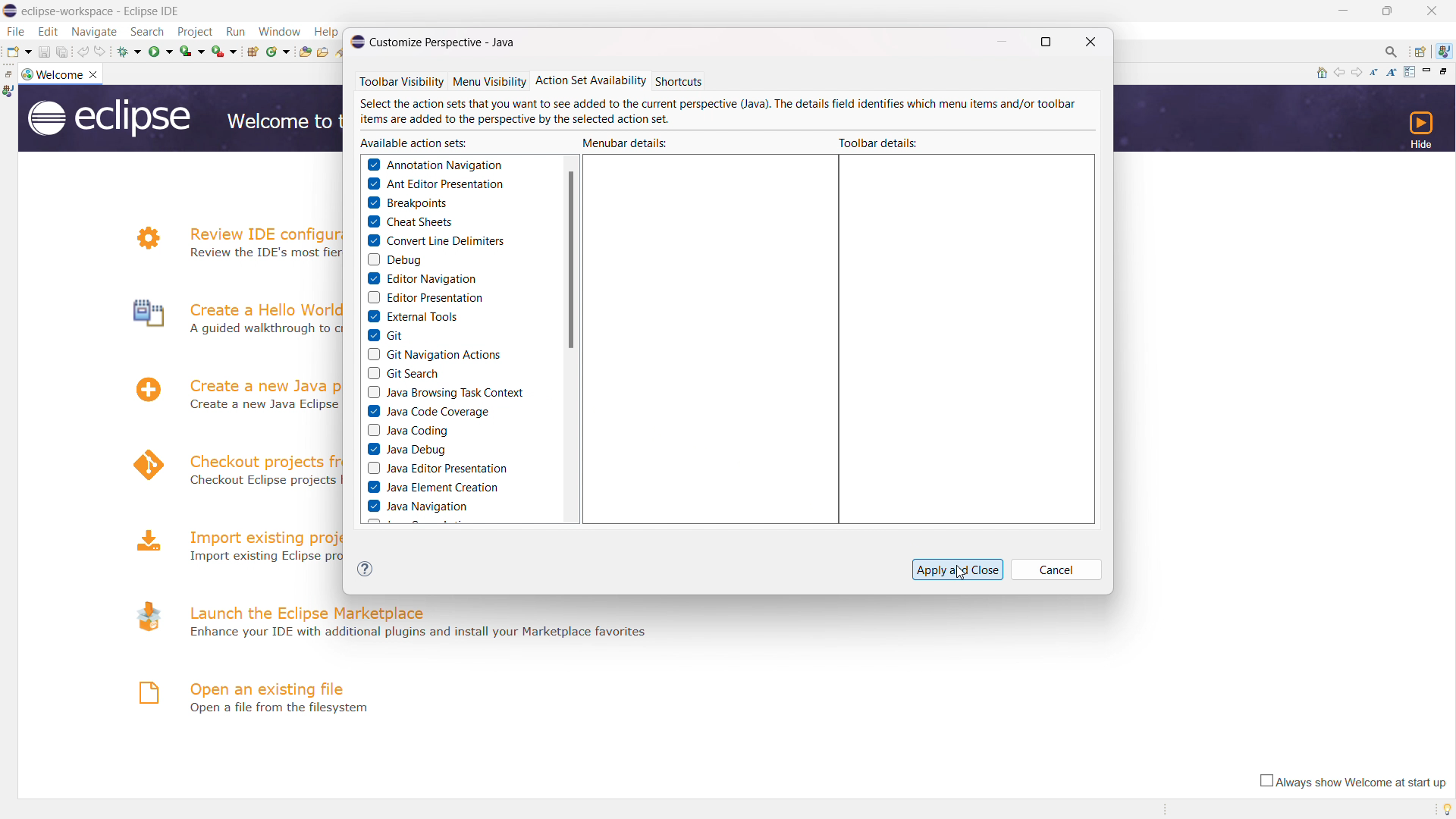  What do you see at coordinates (63, 52) in the screenshot?
I see `save all` at bounding box center [63, 52].